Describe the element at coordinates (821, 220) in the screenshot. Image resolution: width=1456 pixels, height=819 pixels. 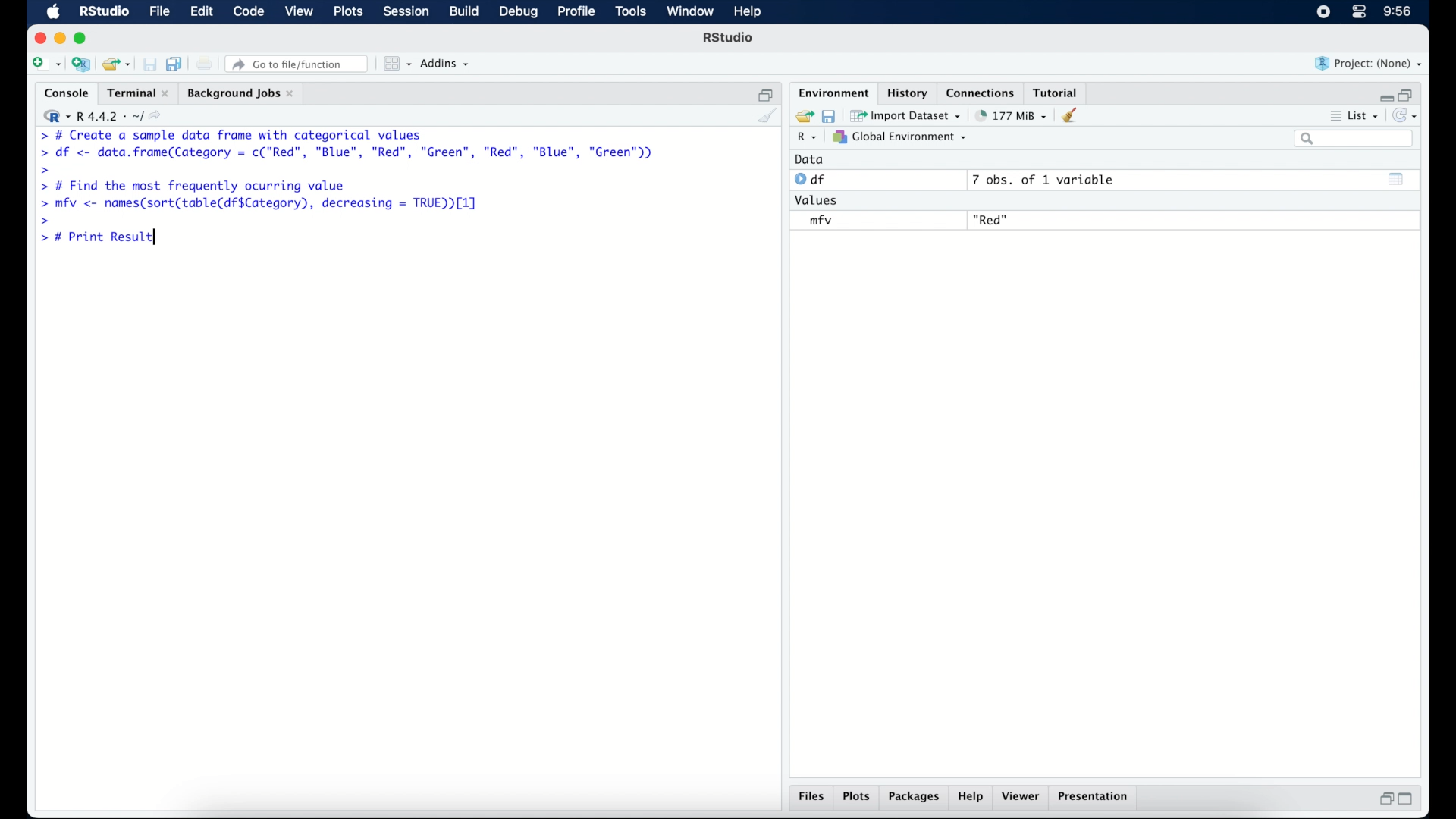
I see `mfv` at that location.